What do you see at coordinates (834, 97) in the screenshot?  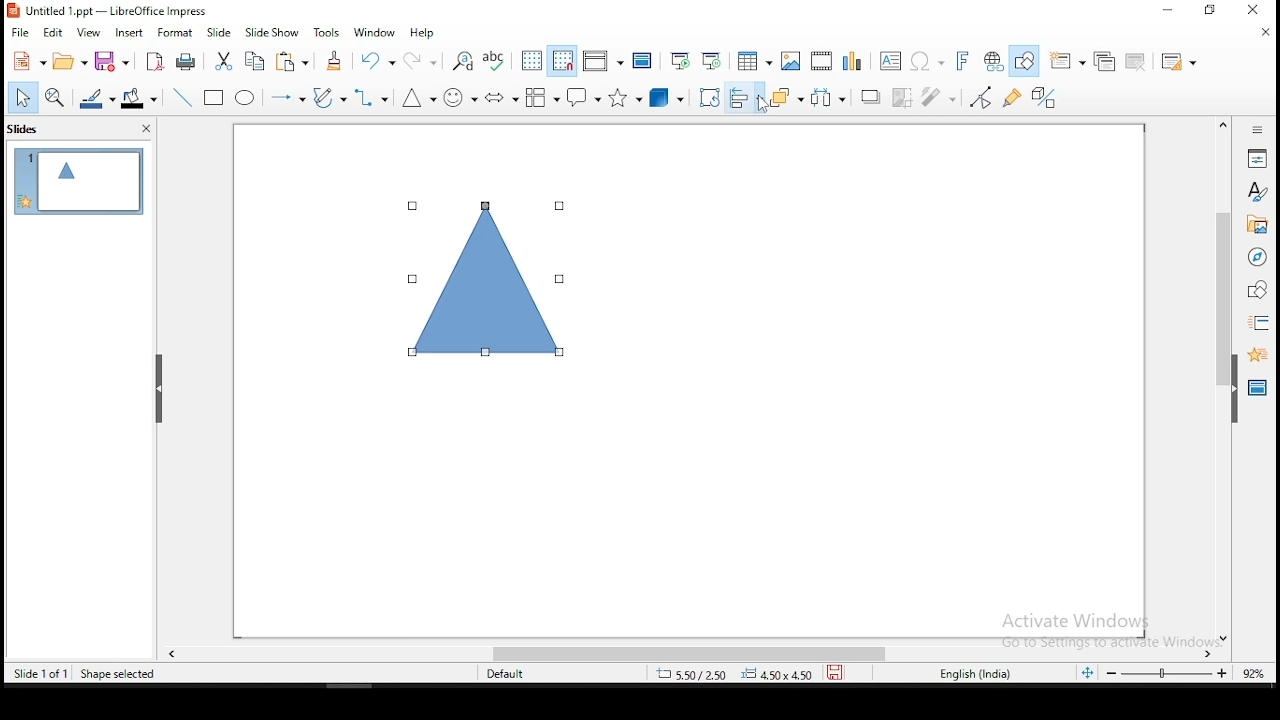 I see `distribute` at bounding box center [834, 97].